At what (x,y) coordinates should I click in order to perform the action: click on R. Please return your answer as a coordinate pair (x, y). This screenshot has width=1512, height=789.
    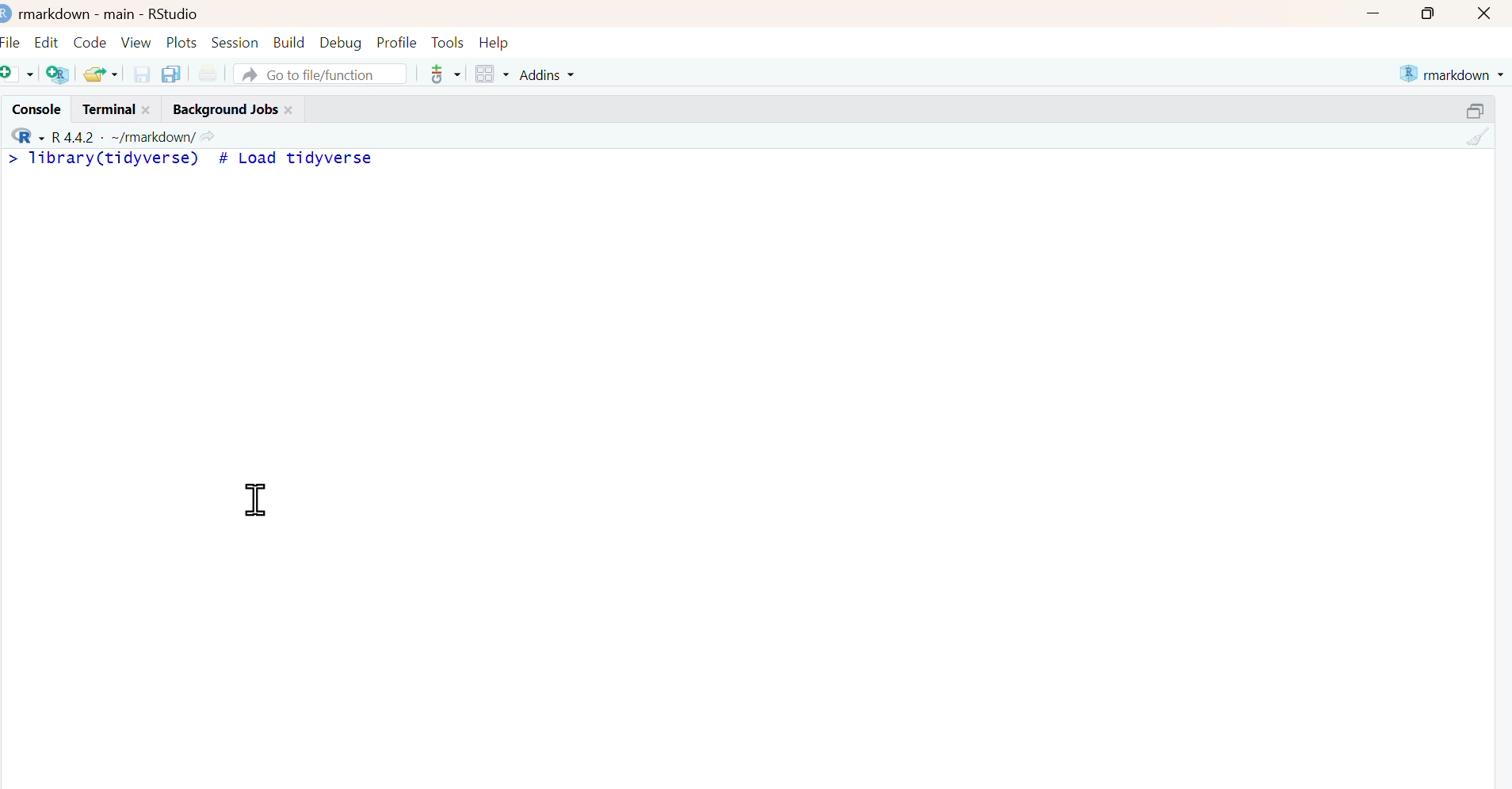
    Looking at the image, I should click on (25, 135).